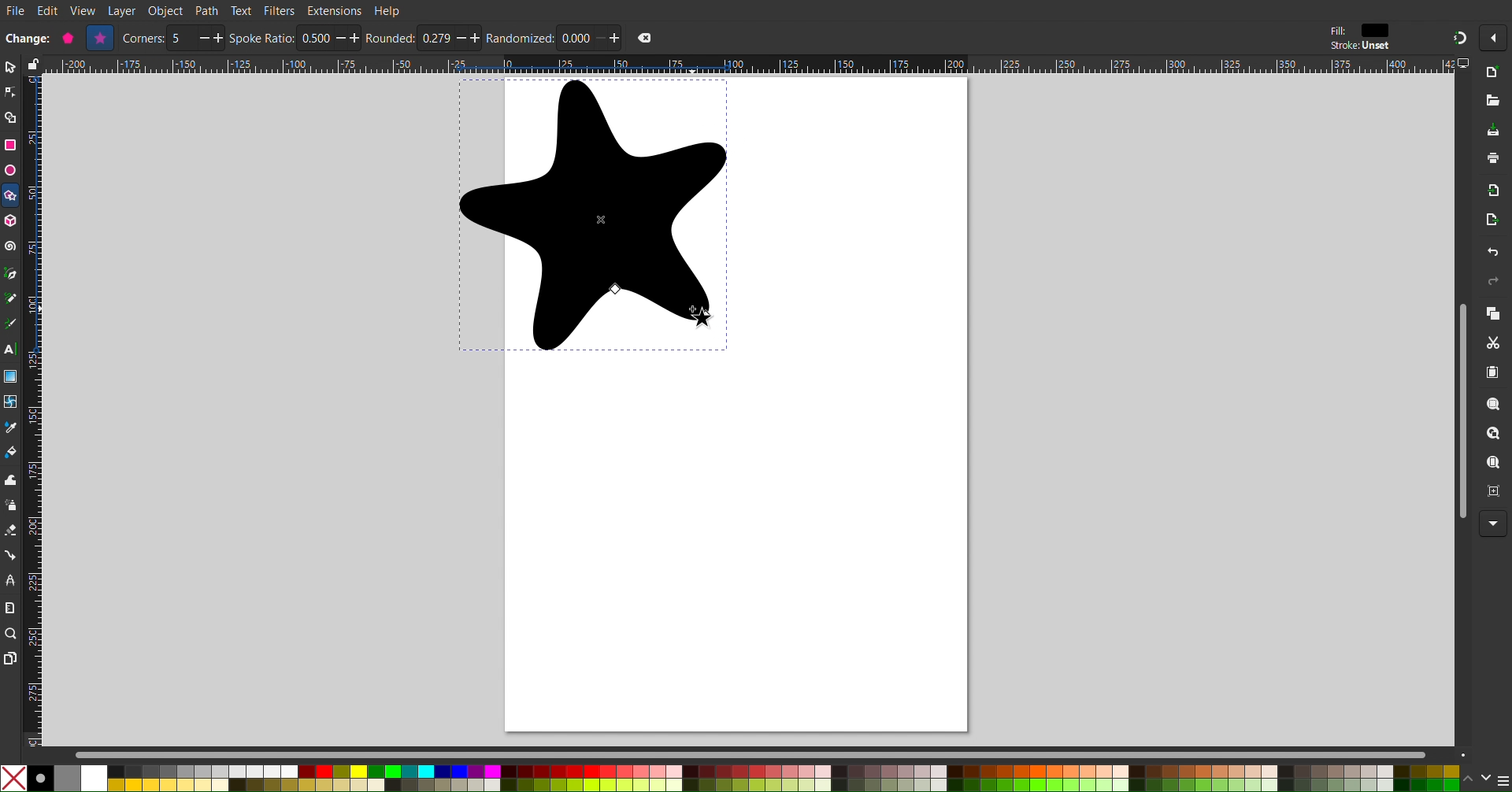 The image size is (1512, 792). Describe the element at coordinates (436, 39) in the screenshot. I see `0.279` at that location.